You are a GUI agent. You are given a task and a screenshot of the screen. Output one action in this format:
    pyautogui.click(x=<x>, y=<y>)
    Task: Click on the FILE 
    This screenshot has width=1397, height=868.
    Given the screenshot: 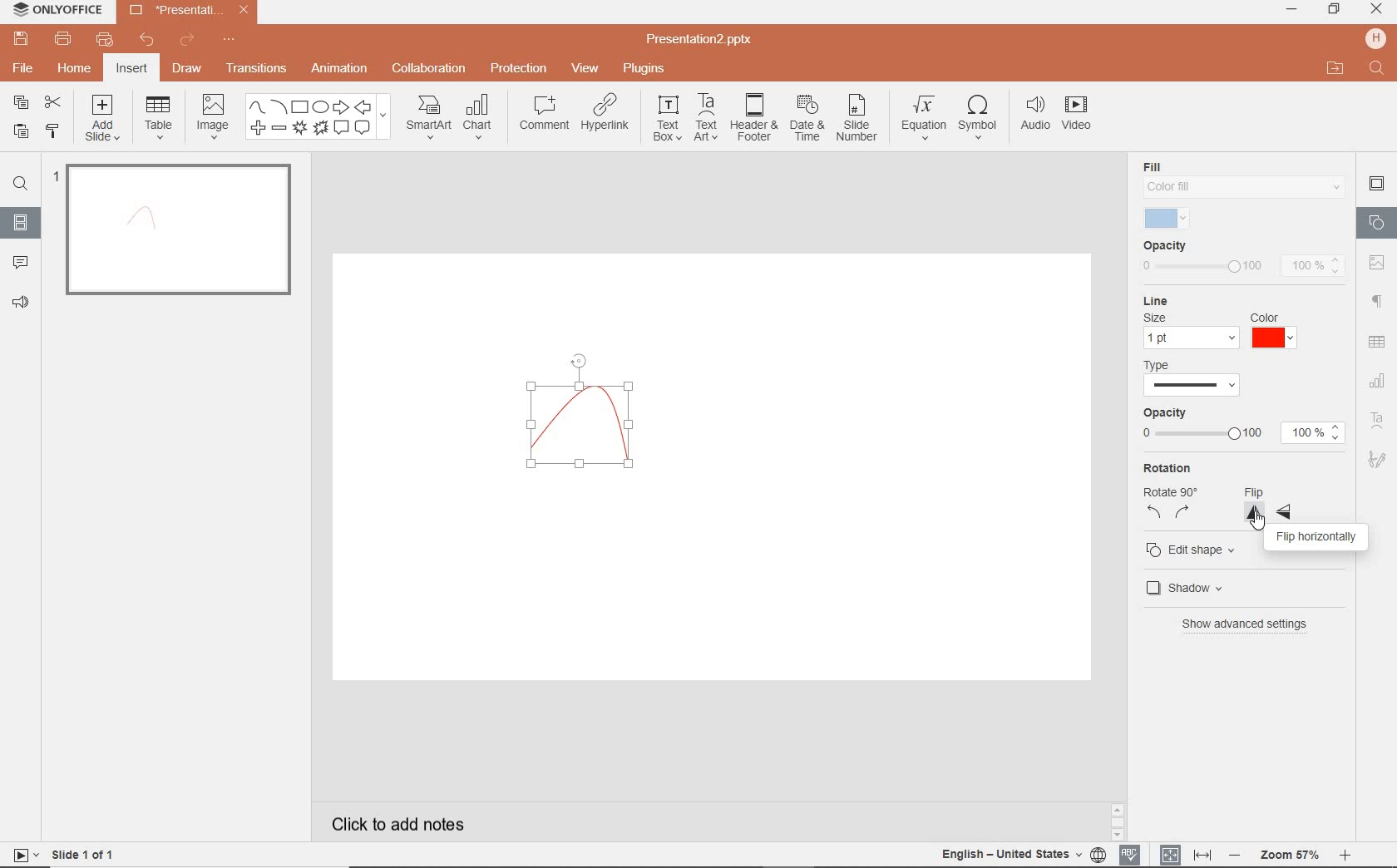 What is the action you would take?
    pyautogui.click(x=25, y=70)
    